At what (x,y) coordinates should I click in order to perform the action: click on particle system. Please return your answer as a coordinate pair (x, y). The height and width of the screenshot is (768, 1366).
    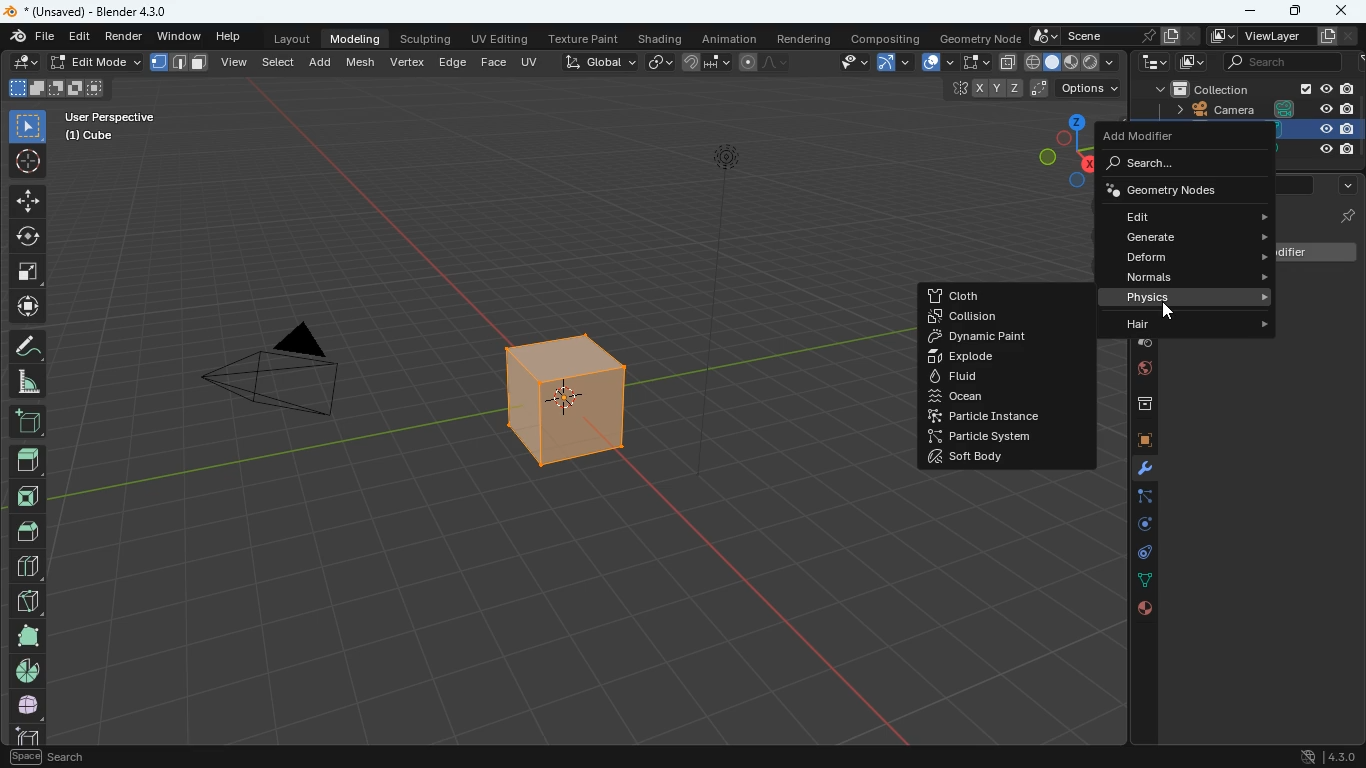
    Looking at the image, I should click on (983, 438).